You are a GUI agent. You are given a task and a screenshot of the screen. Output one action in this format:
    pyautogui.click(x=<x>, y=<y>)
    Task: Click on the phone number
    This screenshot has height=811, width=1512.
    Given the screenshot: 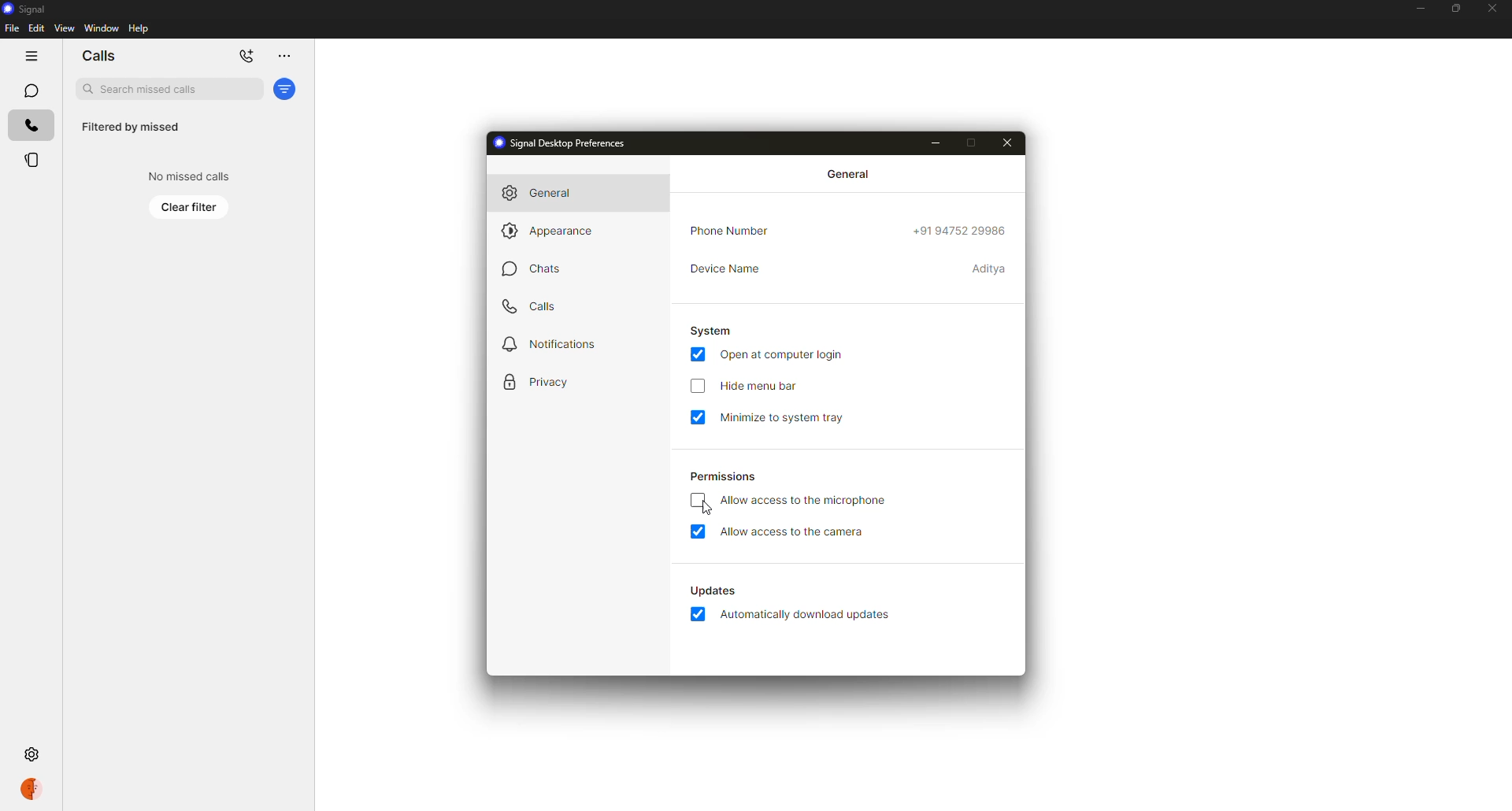 What is the action you would take?
    pyautogui.click(x=961, y=233)
    